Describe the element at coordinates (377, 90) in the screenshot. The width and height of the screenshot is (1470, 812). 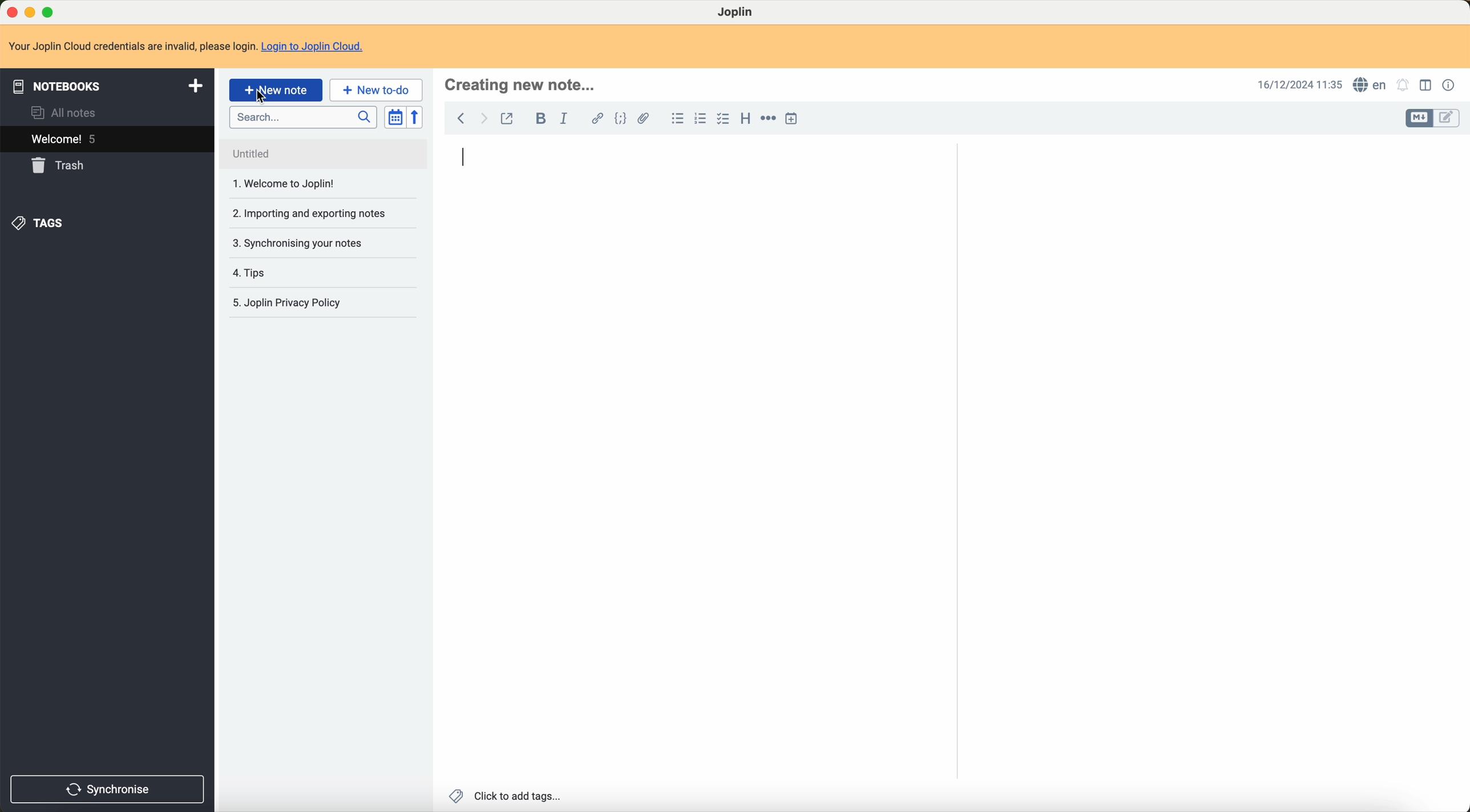
I see `new to-do` at that location.